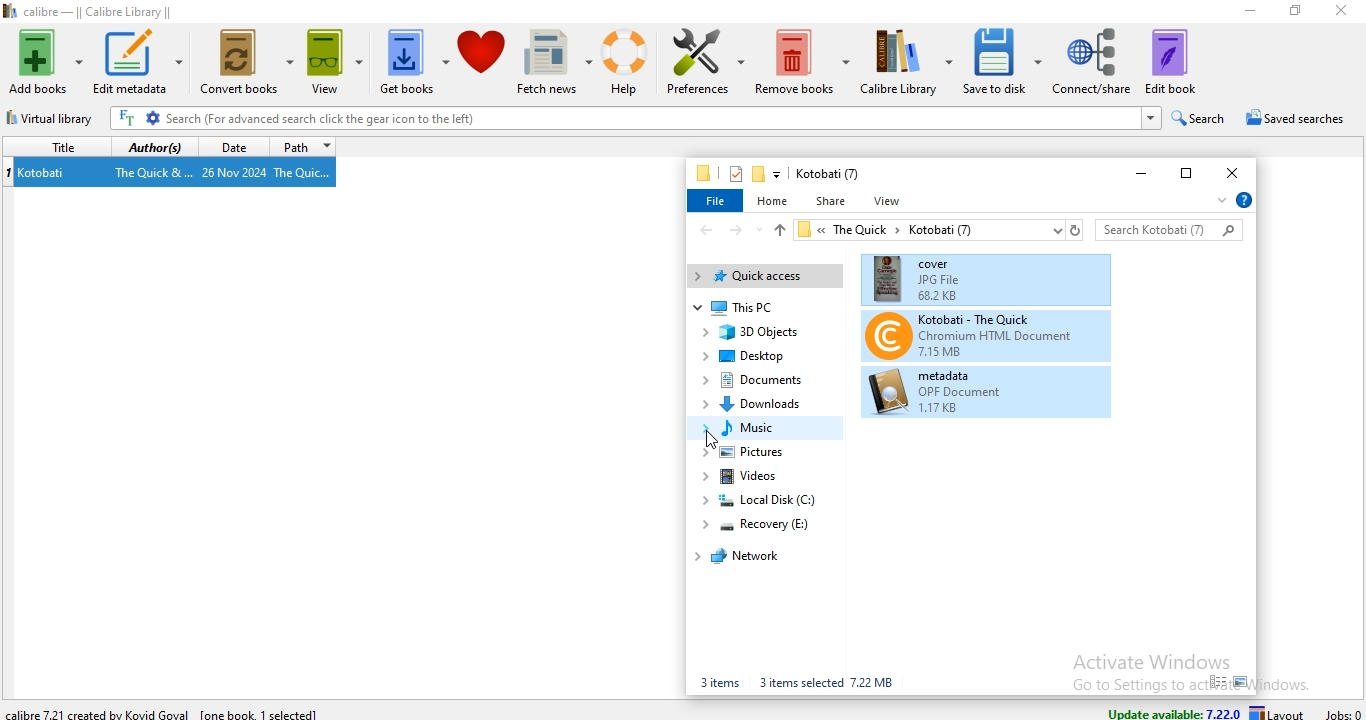 Image resolution: width=1366 pixels, height=720 pixels. I want to click on edit metadata, so click(138, 61).